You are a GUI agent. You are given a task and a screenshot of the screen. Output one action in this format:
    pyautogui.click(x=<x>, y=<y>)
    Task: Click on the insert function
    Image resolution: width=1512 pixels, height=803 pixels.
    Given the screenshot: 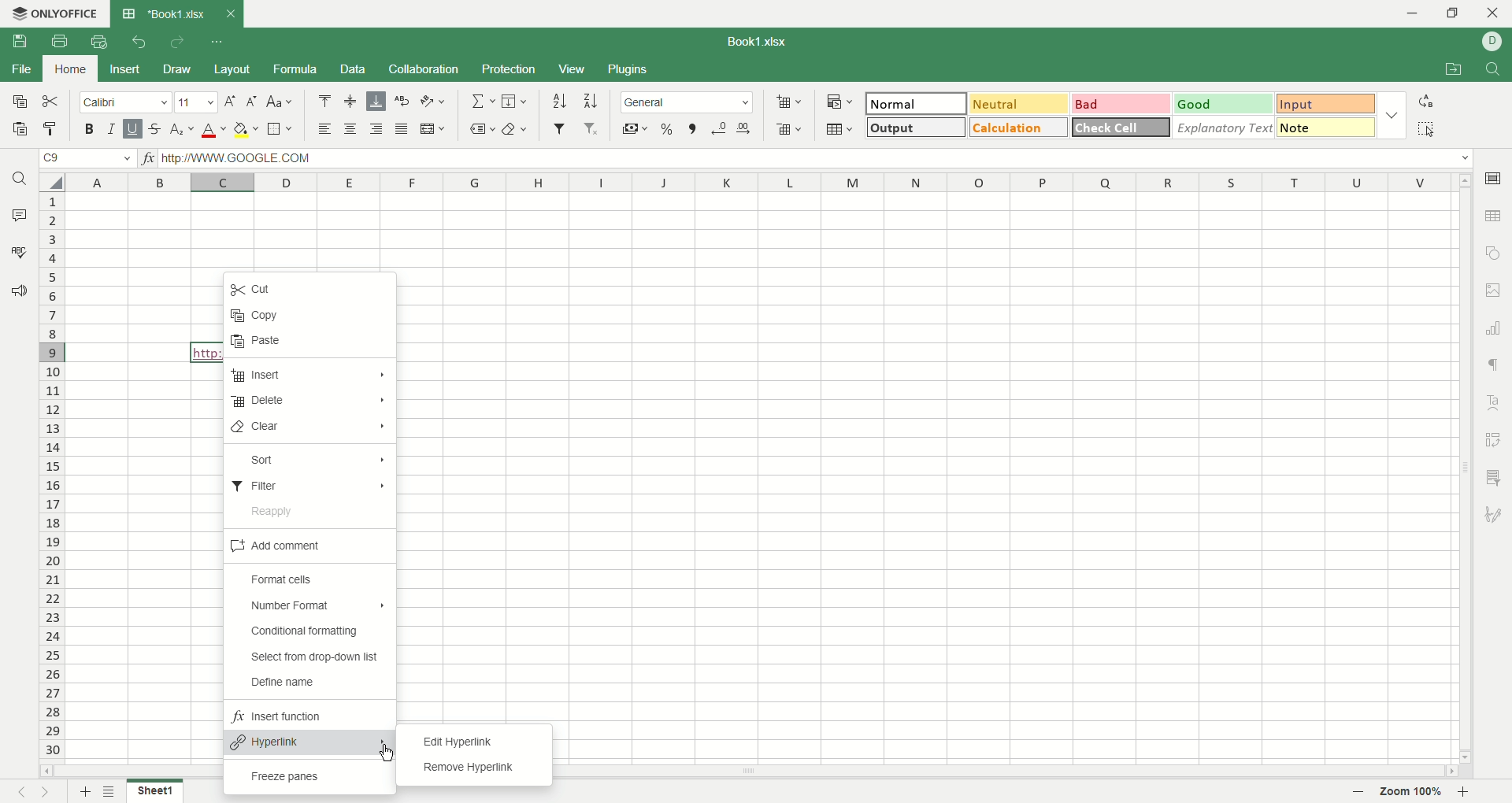 What is the action you would take?
    pyautogui.click(x=295, y=716)
    